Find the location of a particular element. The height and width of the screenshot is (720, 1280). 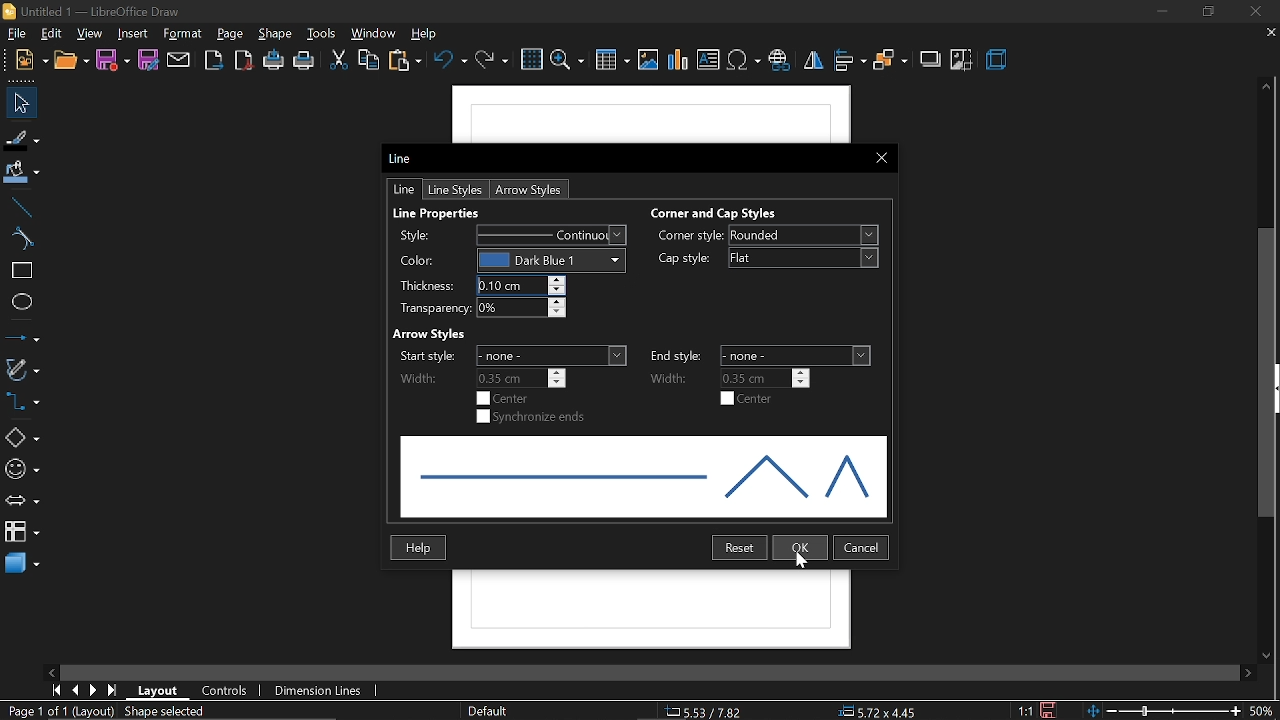

fill line is located at coordinates (22, 138).